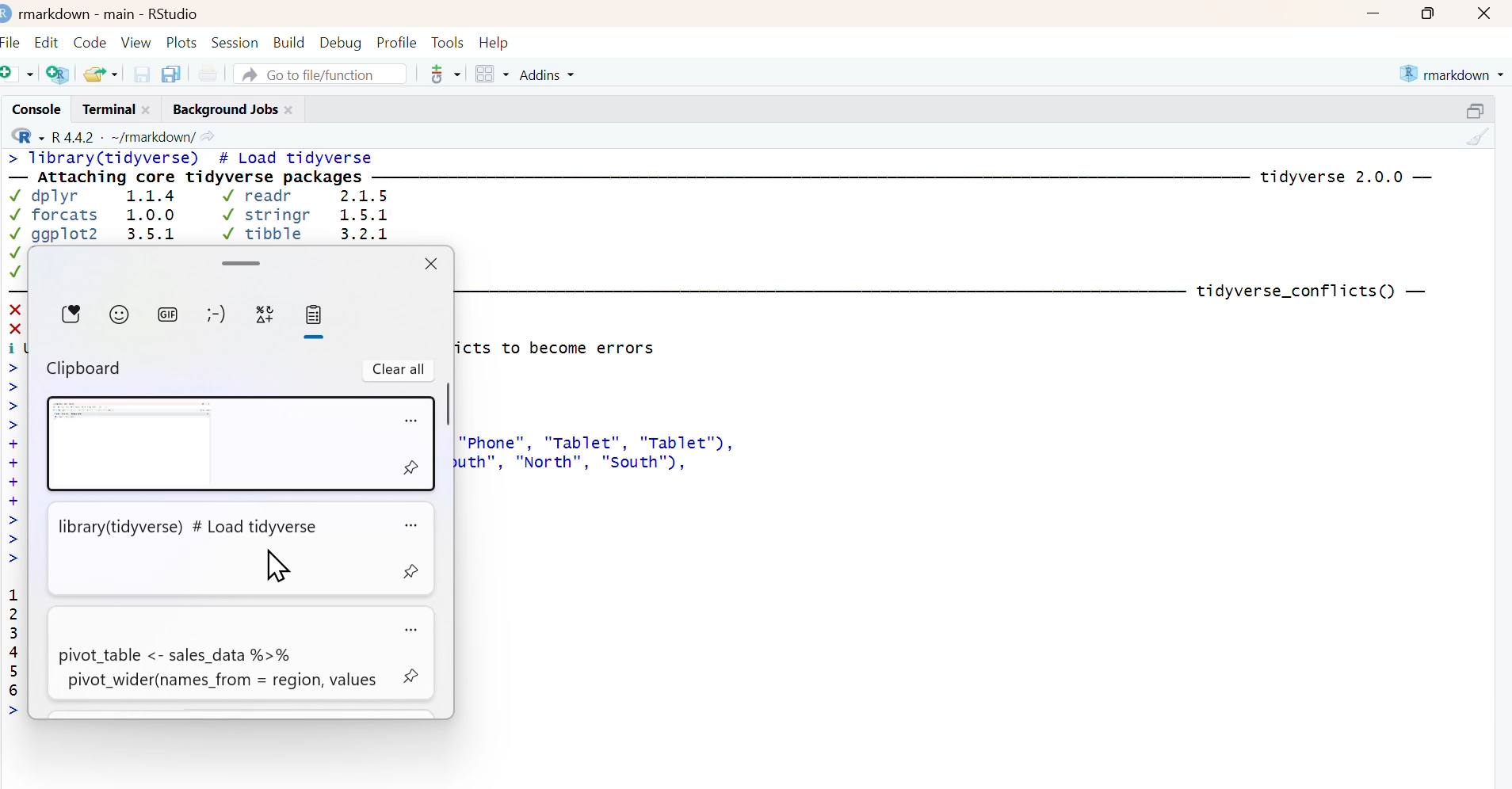  Describe the element at coordinates (292, 108) in the screenshot. I see `close` at that location.